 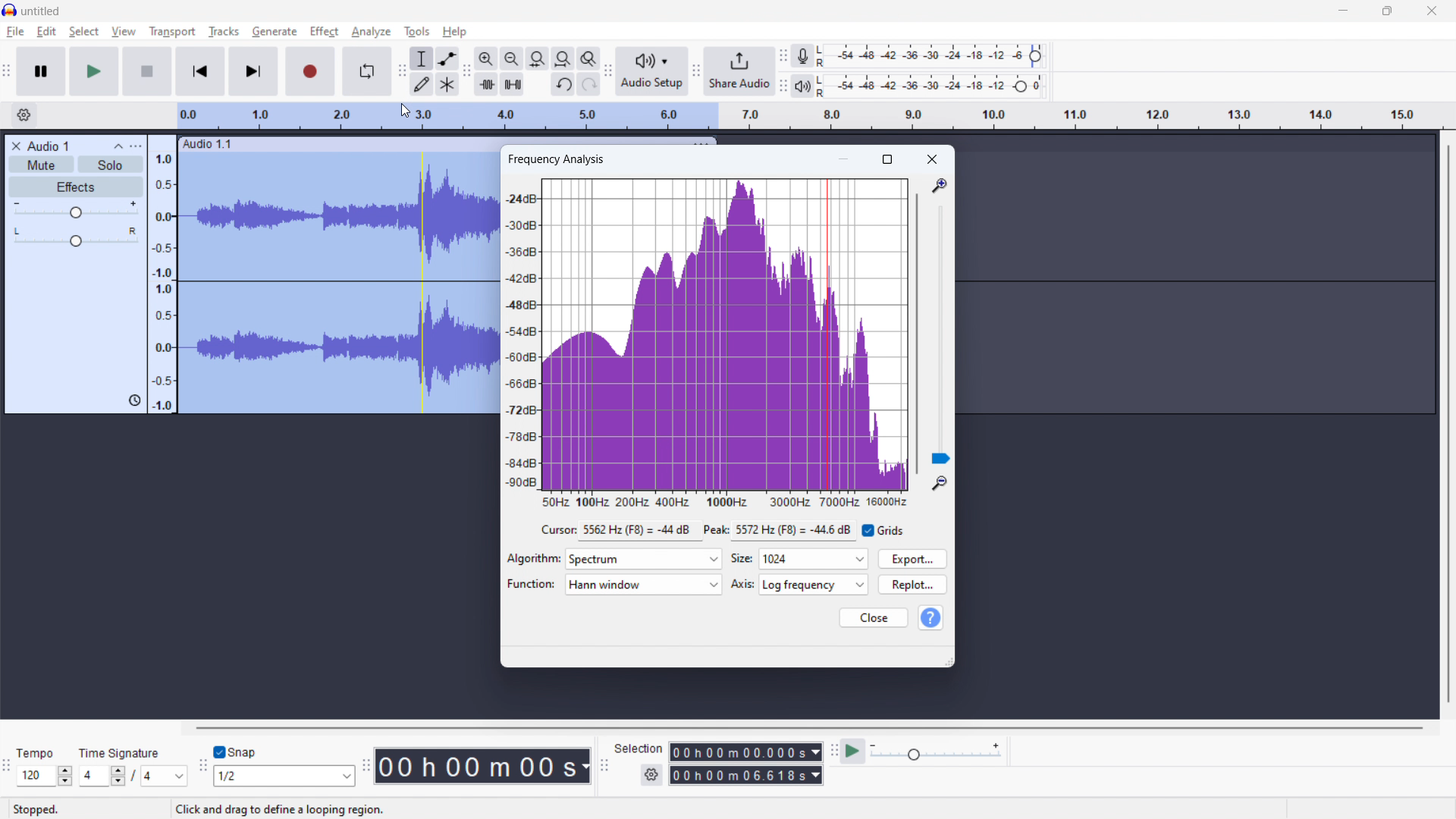 I want to click on amplitude, so click(x=521, y=334).